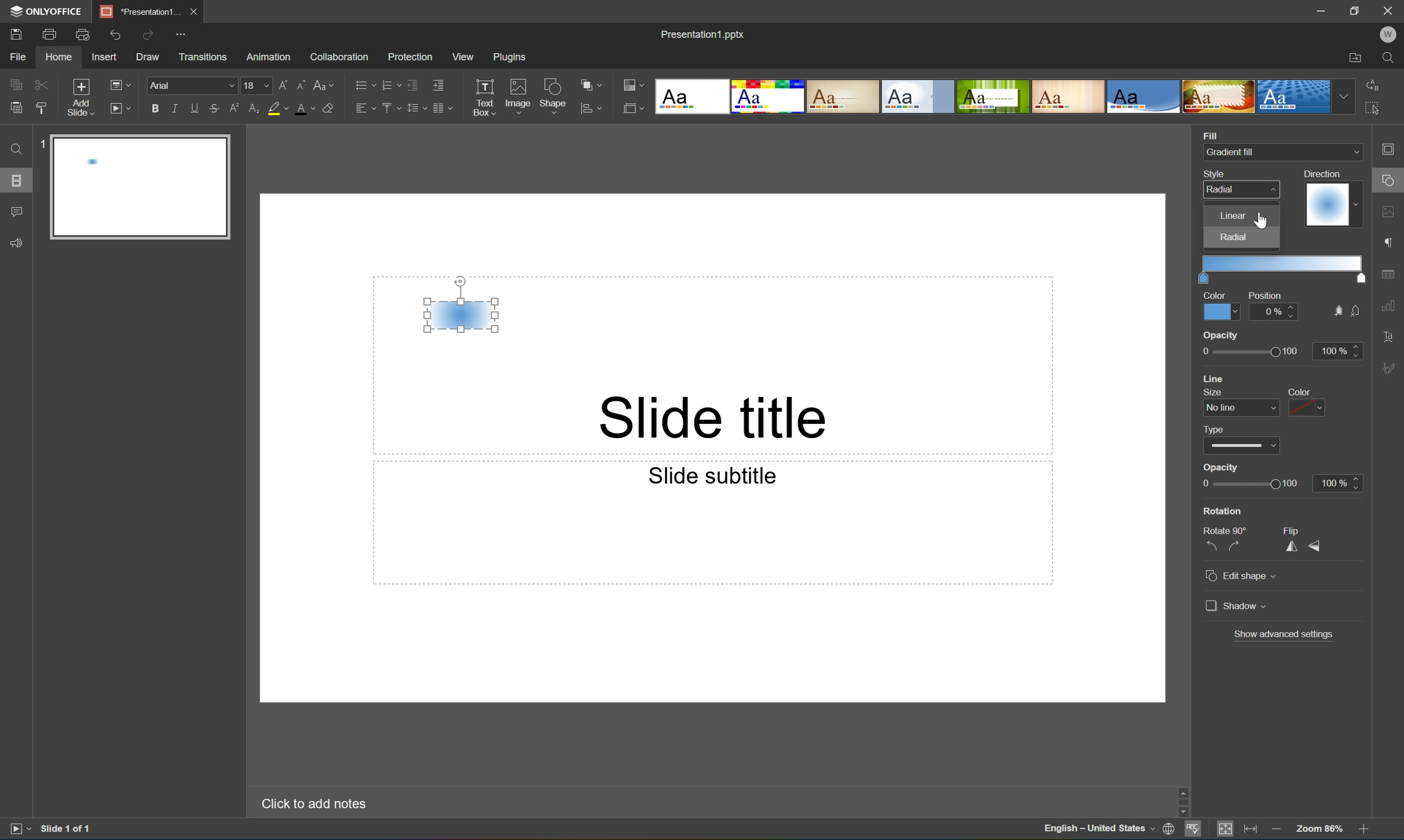 The image size is (1404, 840). What do you see at coordinates (1243, 446) in the screenshot?
I see `type dropdown` at bounding box center [1243, 446].